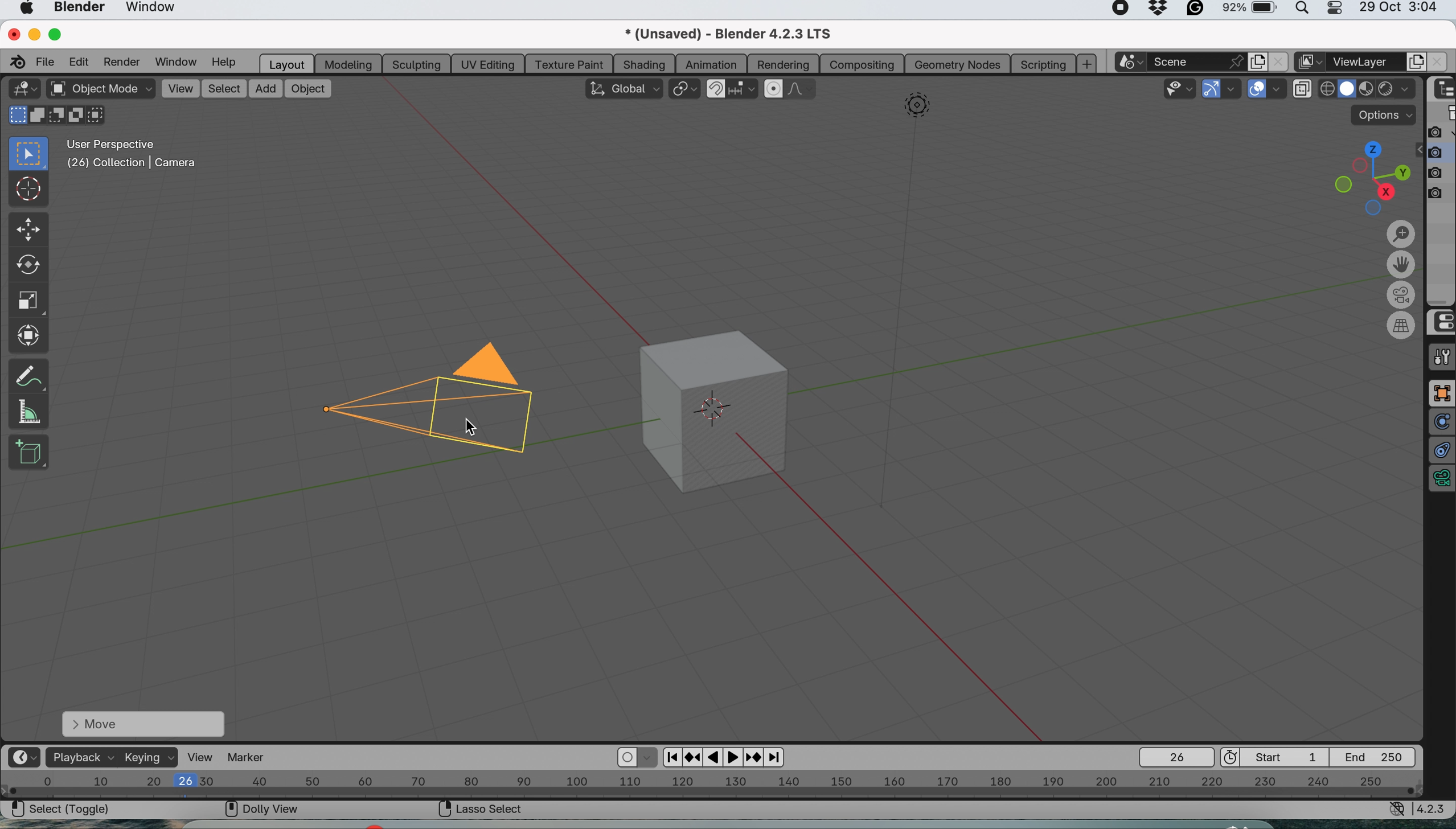 The width and height of the screenshot is (1456, 829). What do you see at coordinates (735, 757) in the screenshot?
I see `play` at bounding box center [735, 757].